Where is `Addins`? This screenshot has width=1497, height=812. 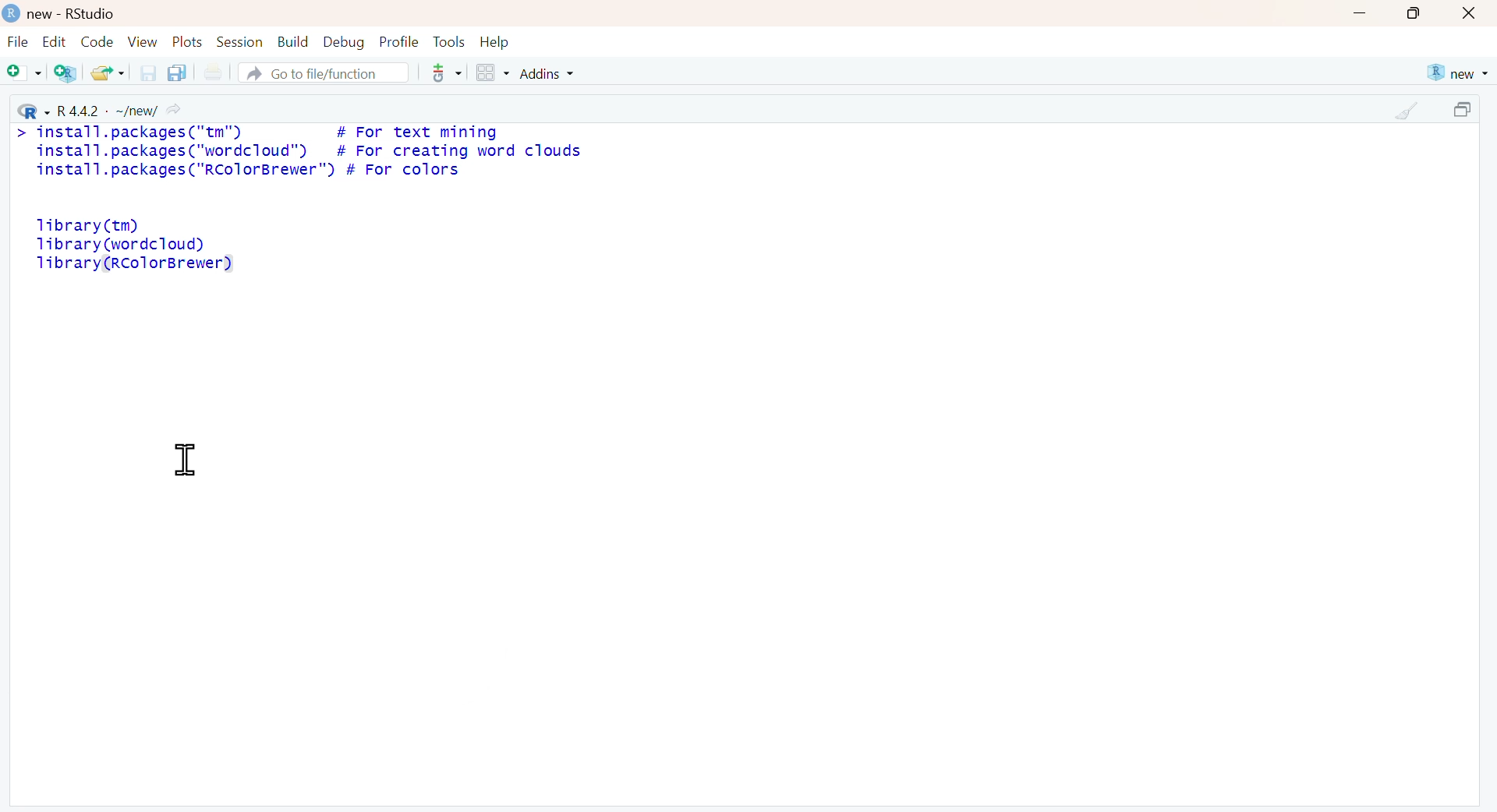
Addins is located at coordinates (548, 74).